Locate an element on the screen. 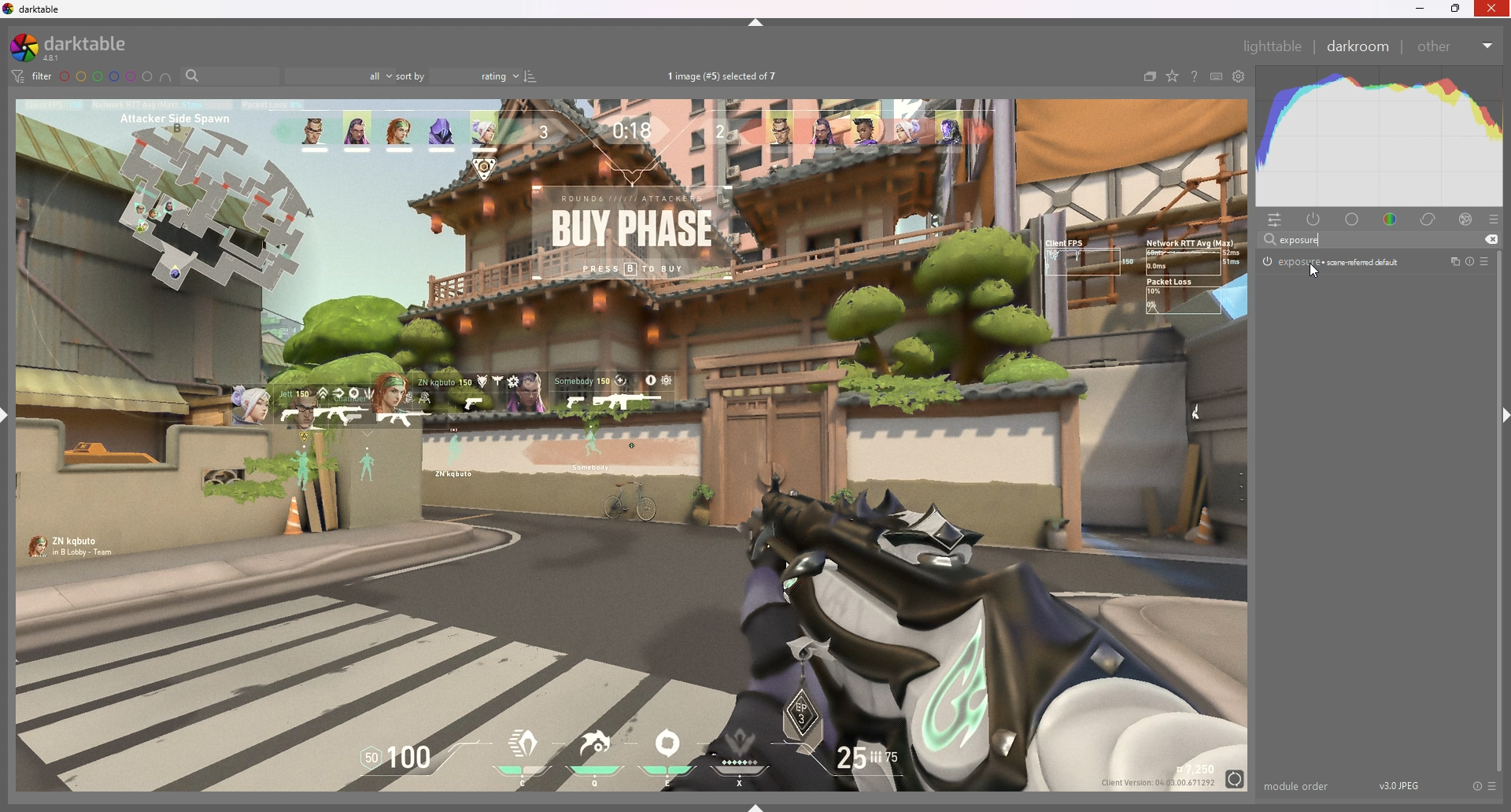 This screenshot has height=812, width=1511. version is located at coordinates (1400, 784).